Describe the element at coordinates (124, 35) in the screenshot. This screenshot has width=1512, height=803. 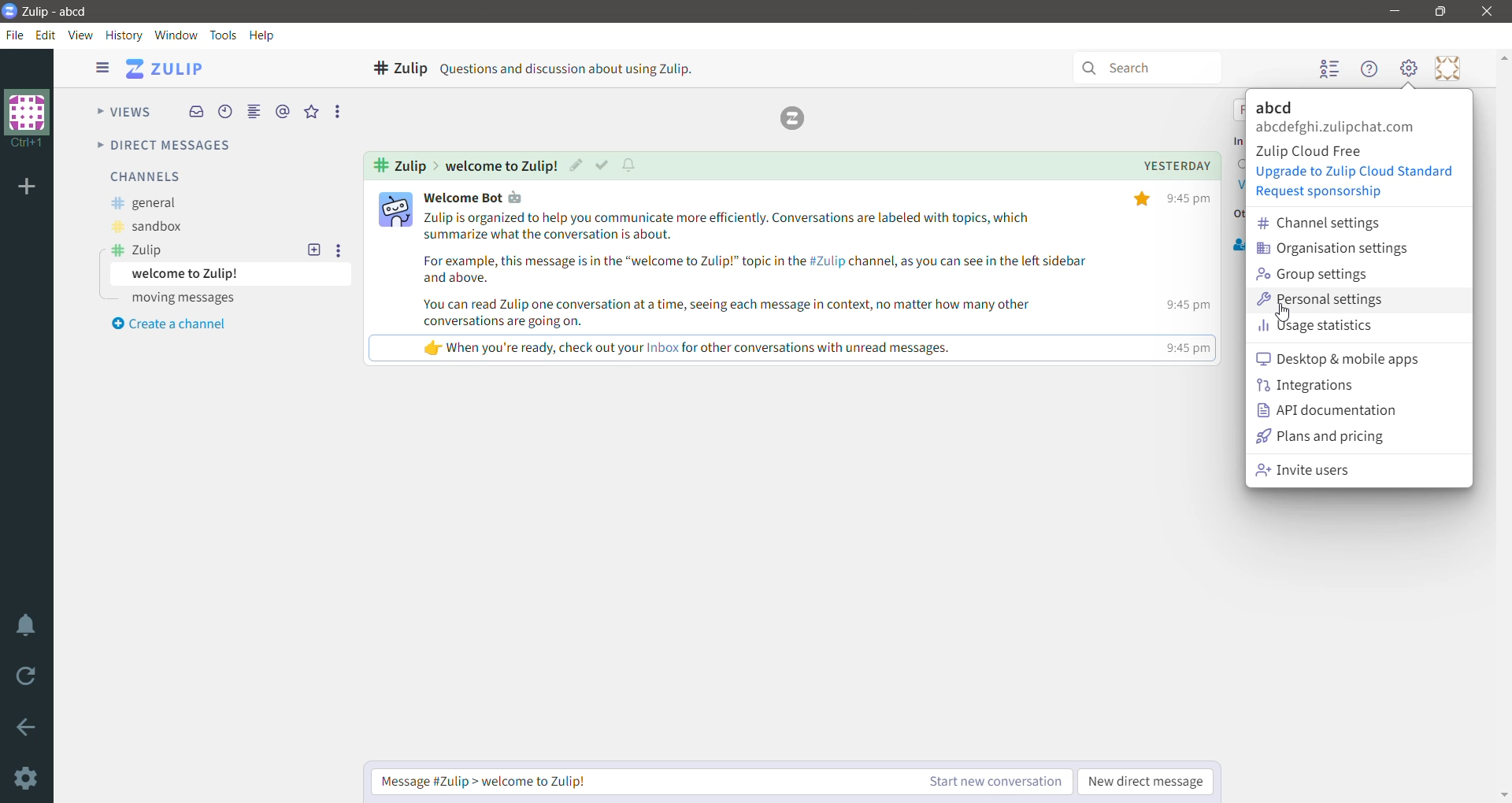
I see `History` at that location.